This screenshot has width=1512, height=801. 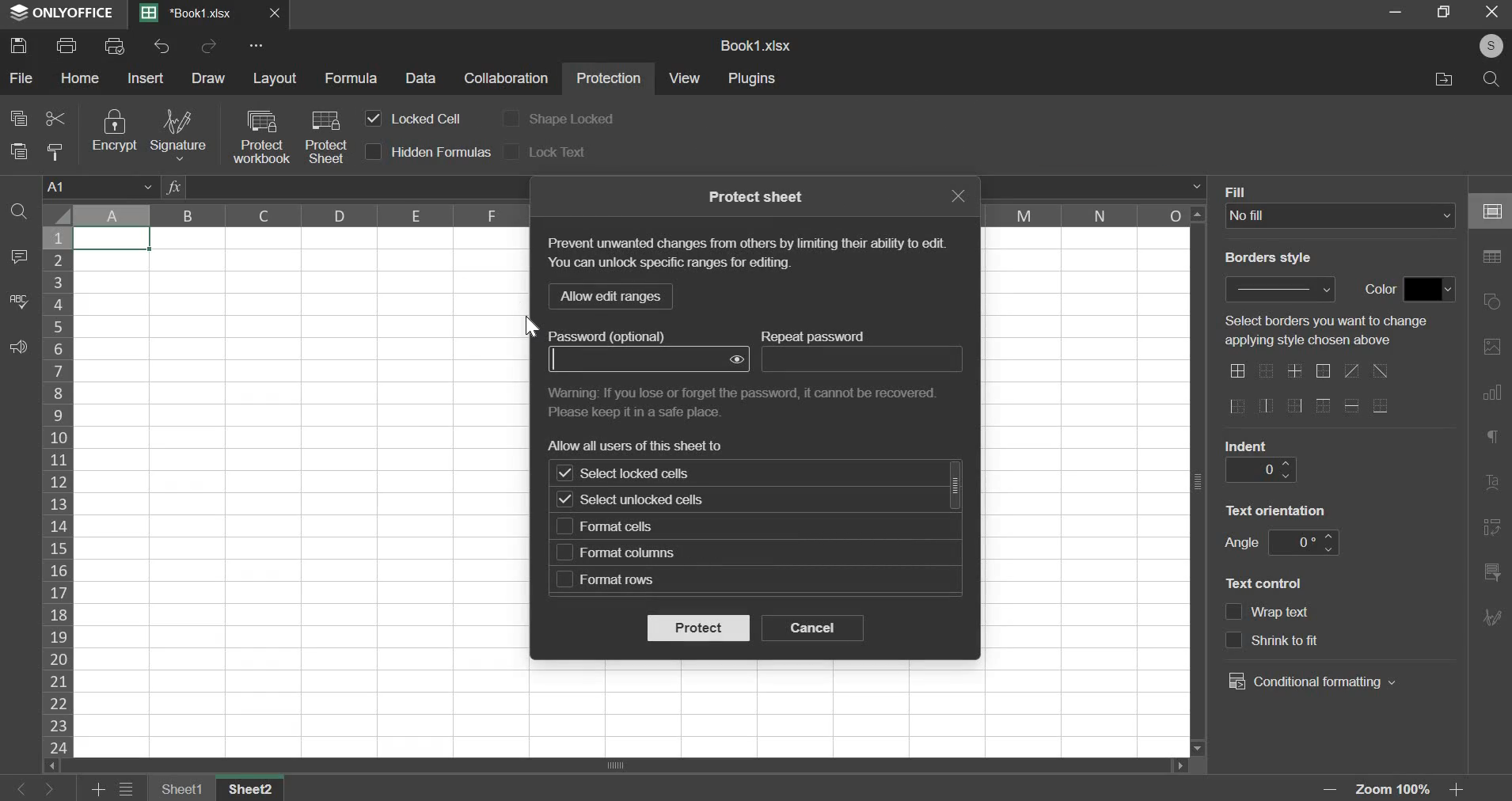 I want to click on ONLYOFFICE, so click(x=59, y=13).